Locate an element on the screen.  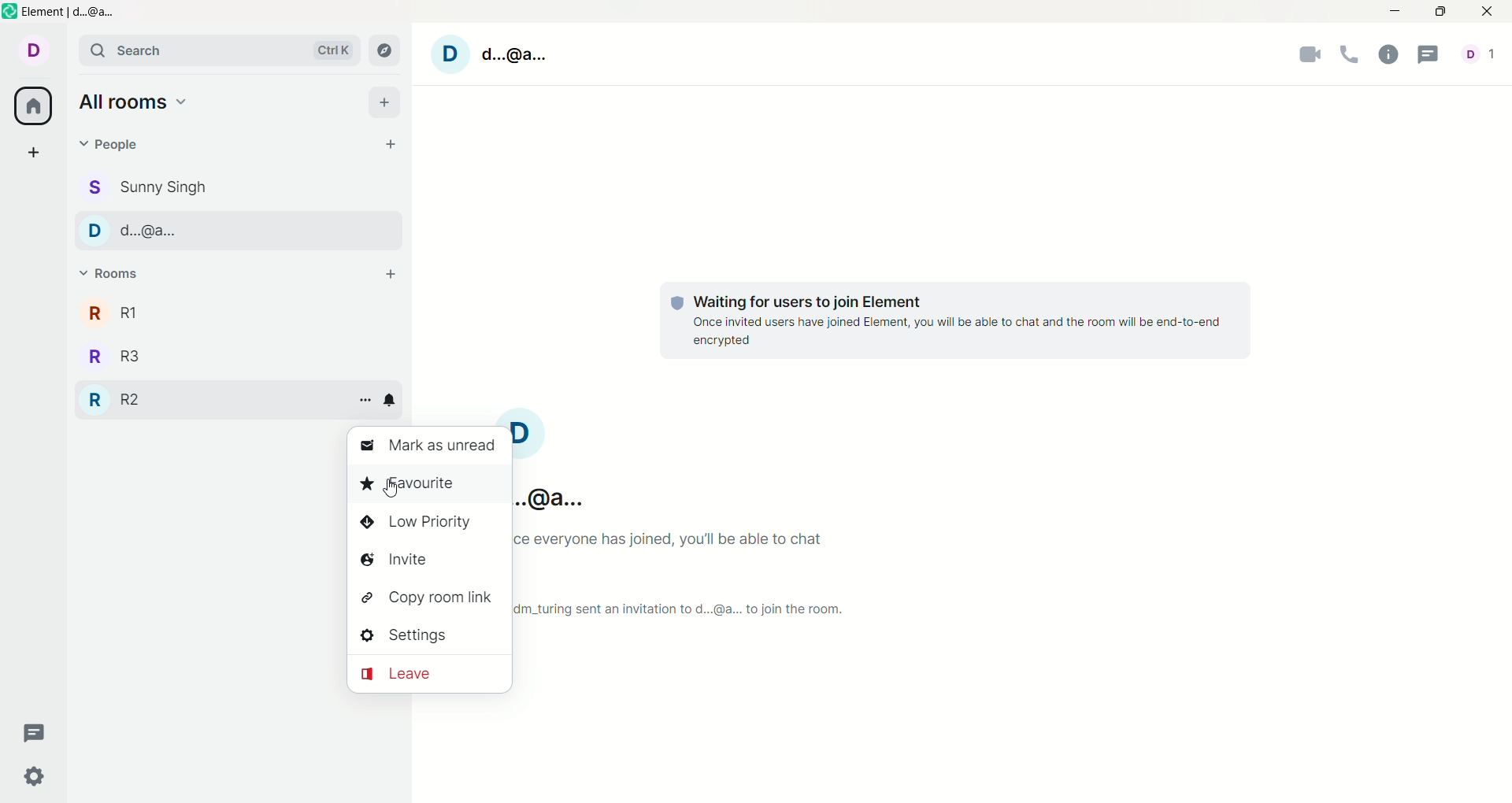
account is located at coordinates (1484, 56).